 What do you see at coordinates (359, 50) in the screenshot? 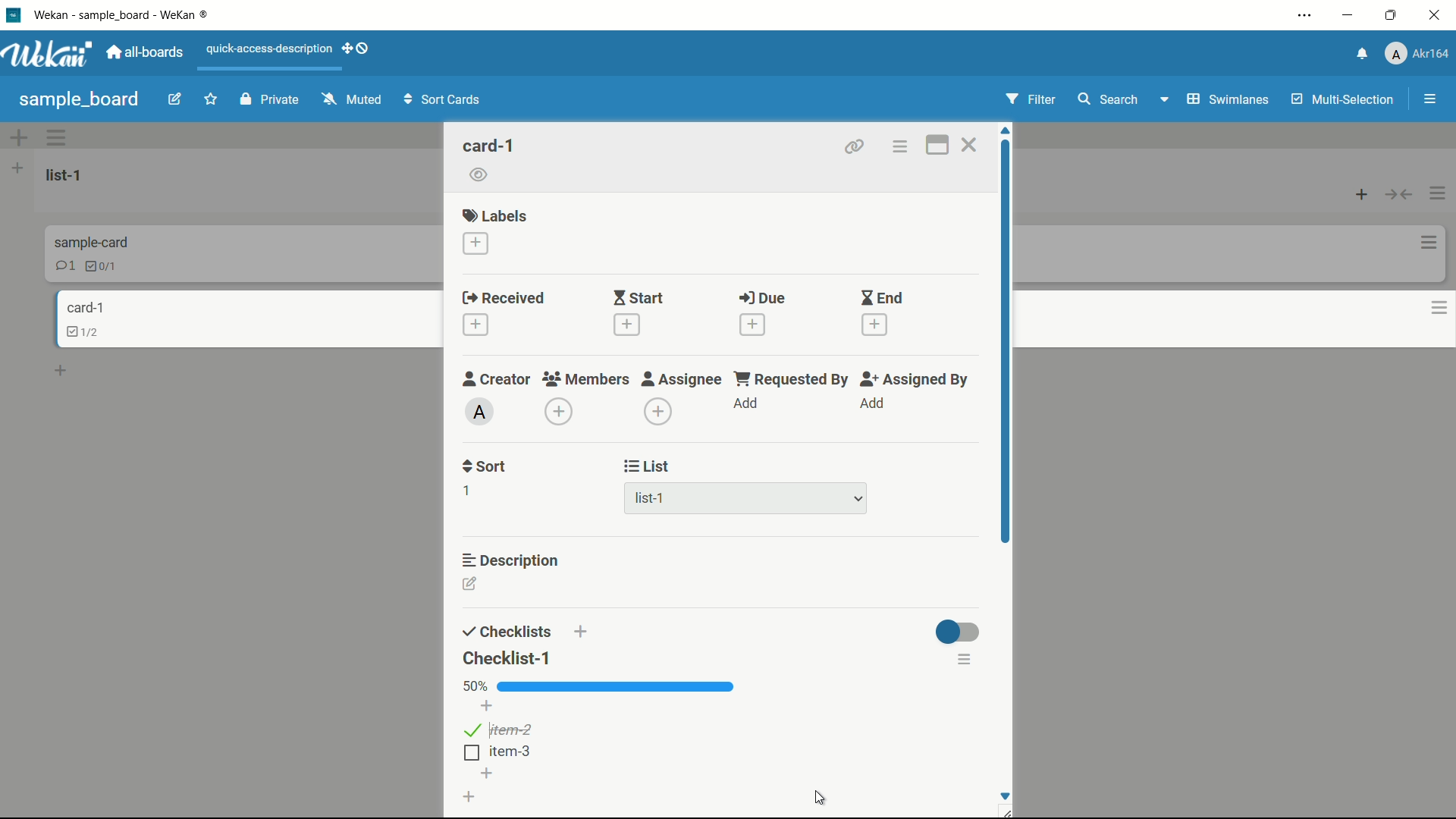
I see `dekstop drag bar` at bounding box center [359, 50].